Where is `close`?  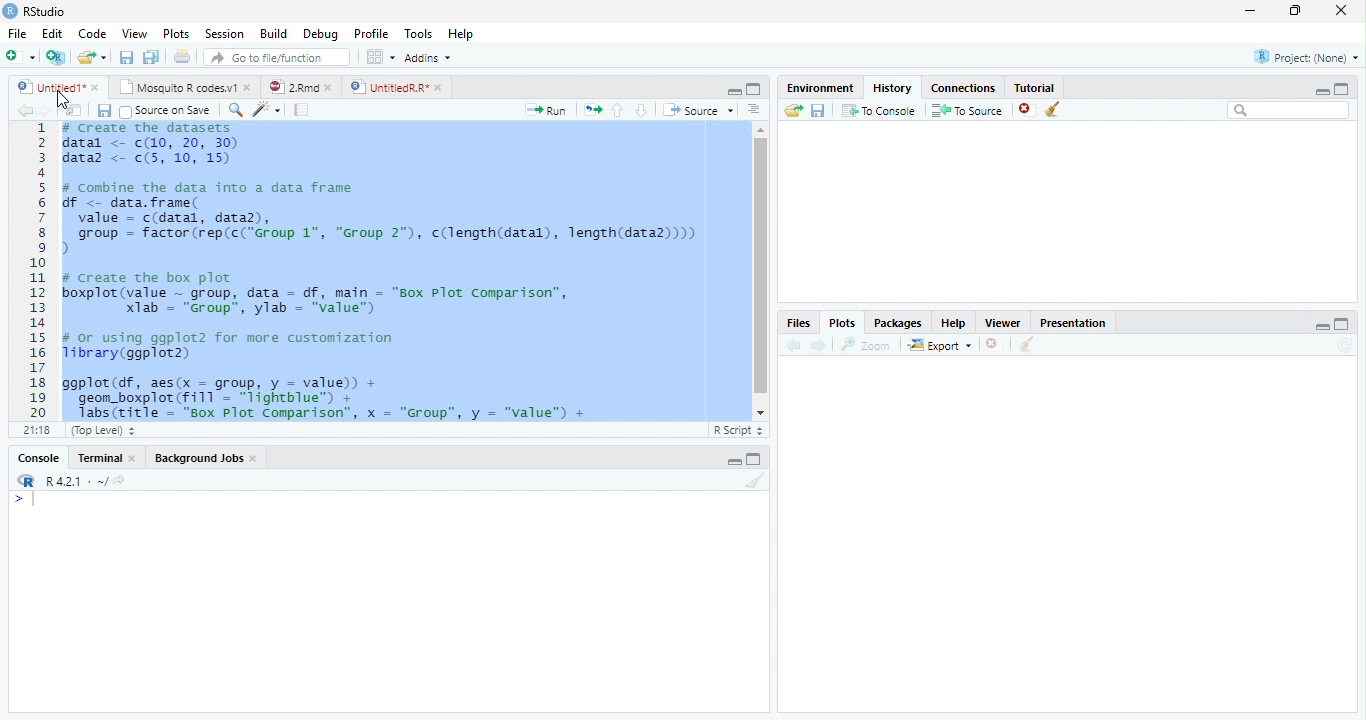
close is located at coordinates (248, 87).